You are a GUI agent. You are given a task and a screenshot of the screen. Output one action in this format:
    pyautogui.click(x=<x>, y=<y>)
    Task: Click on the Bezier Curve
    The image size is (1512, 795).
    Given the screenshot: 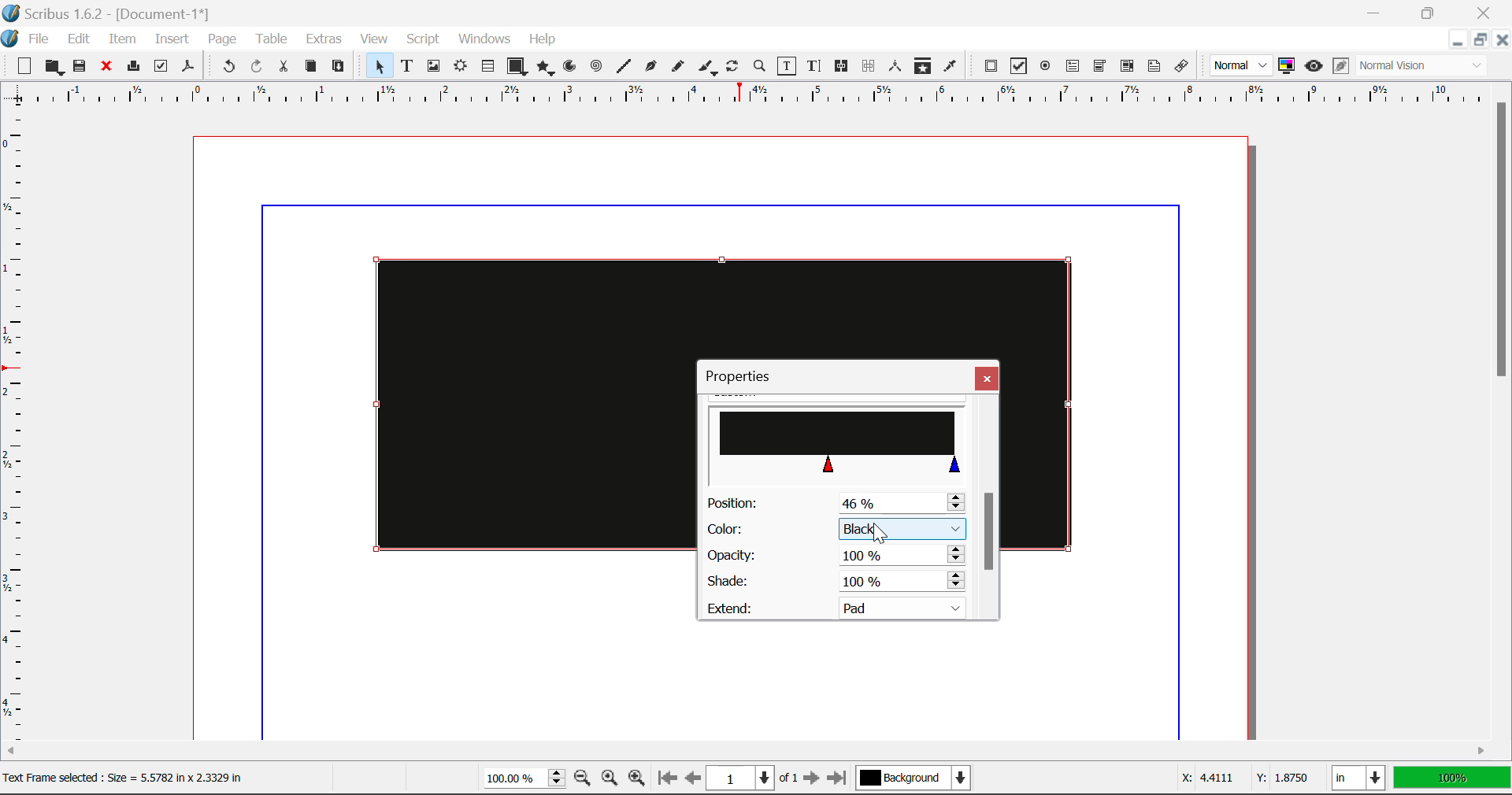 What is the action you would take?
    pyautogui.click(x=651, y=68)
    